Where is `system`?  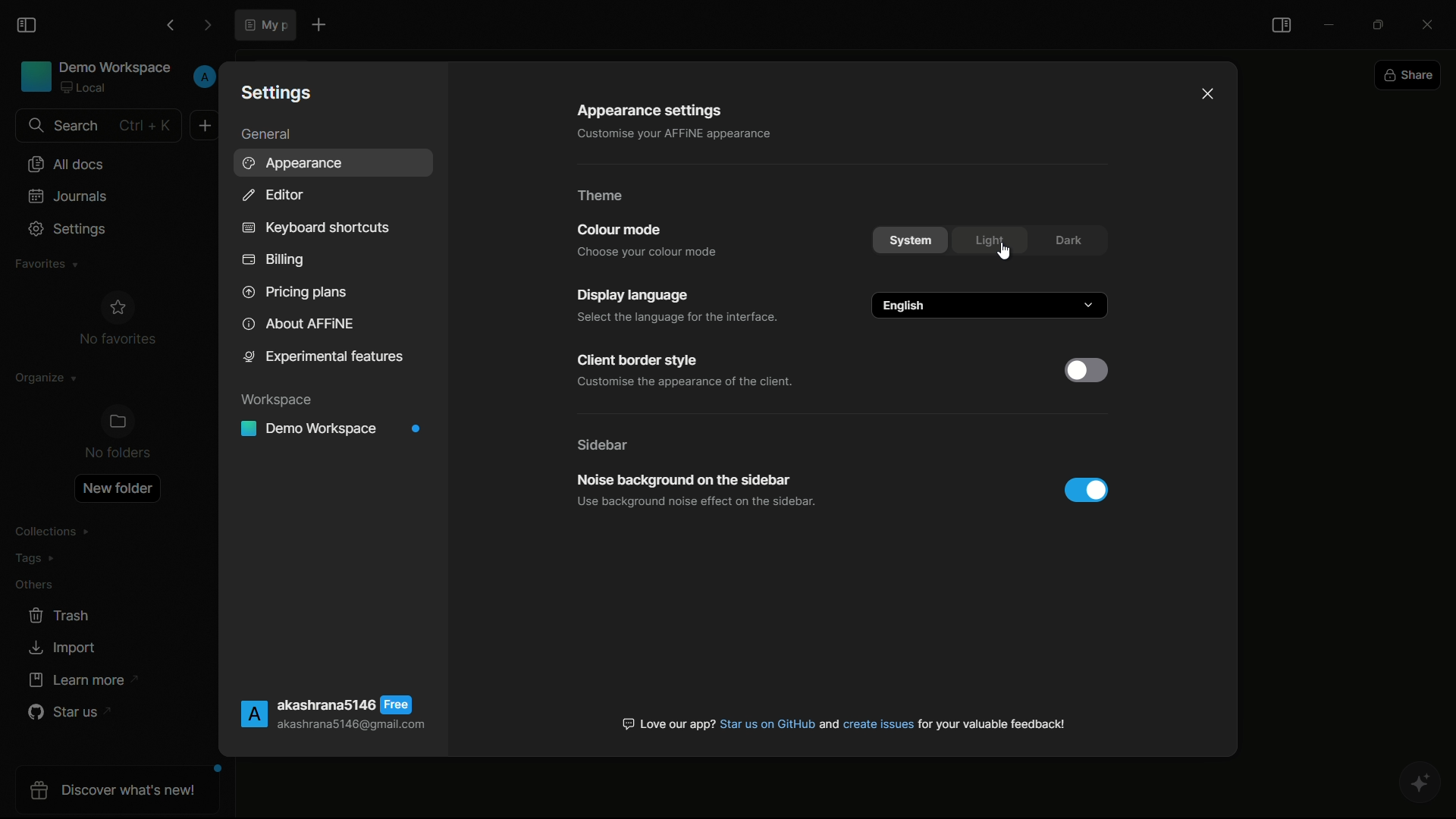 system is located at coordinates (913, 240).